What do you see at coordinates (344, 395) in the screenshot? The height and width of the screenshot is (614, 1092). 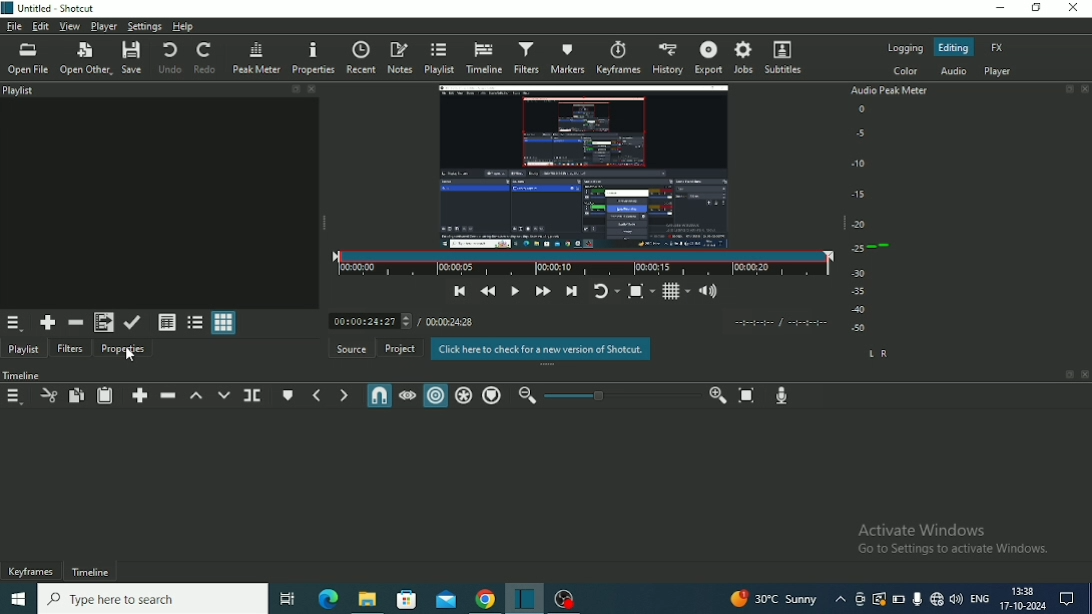 I see `Next Marker` at bounding box center [344, 395].